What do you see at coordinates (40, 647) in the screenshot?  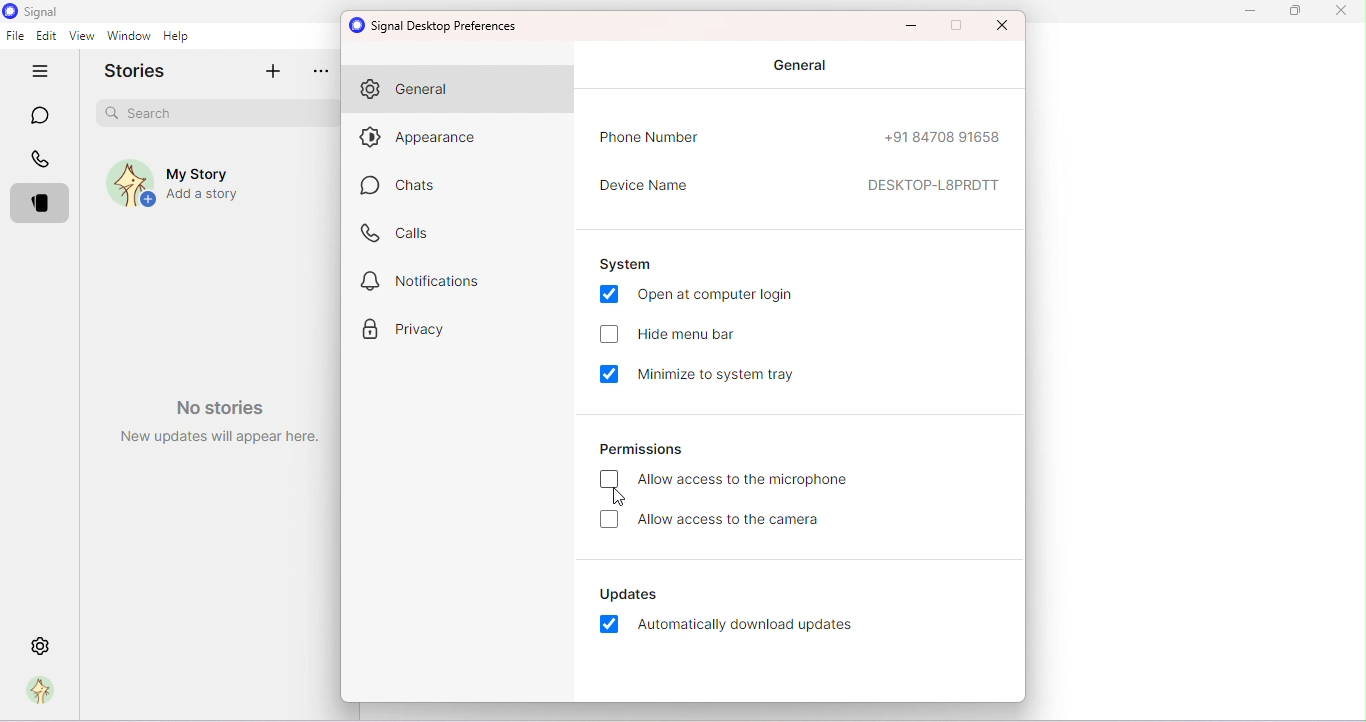 I see `Settings` at bounding box center [40, 647].